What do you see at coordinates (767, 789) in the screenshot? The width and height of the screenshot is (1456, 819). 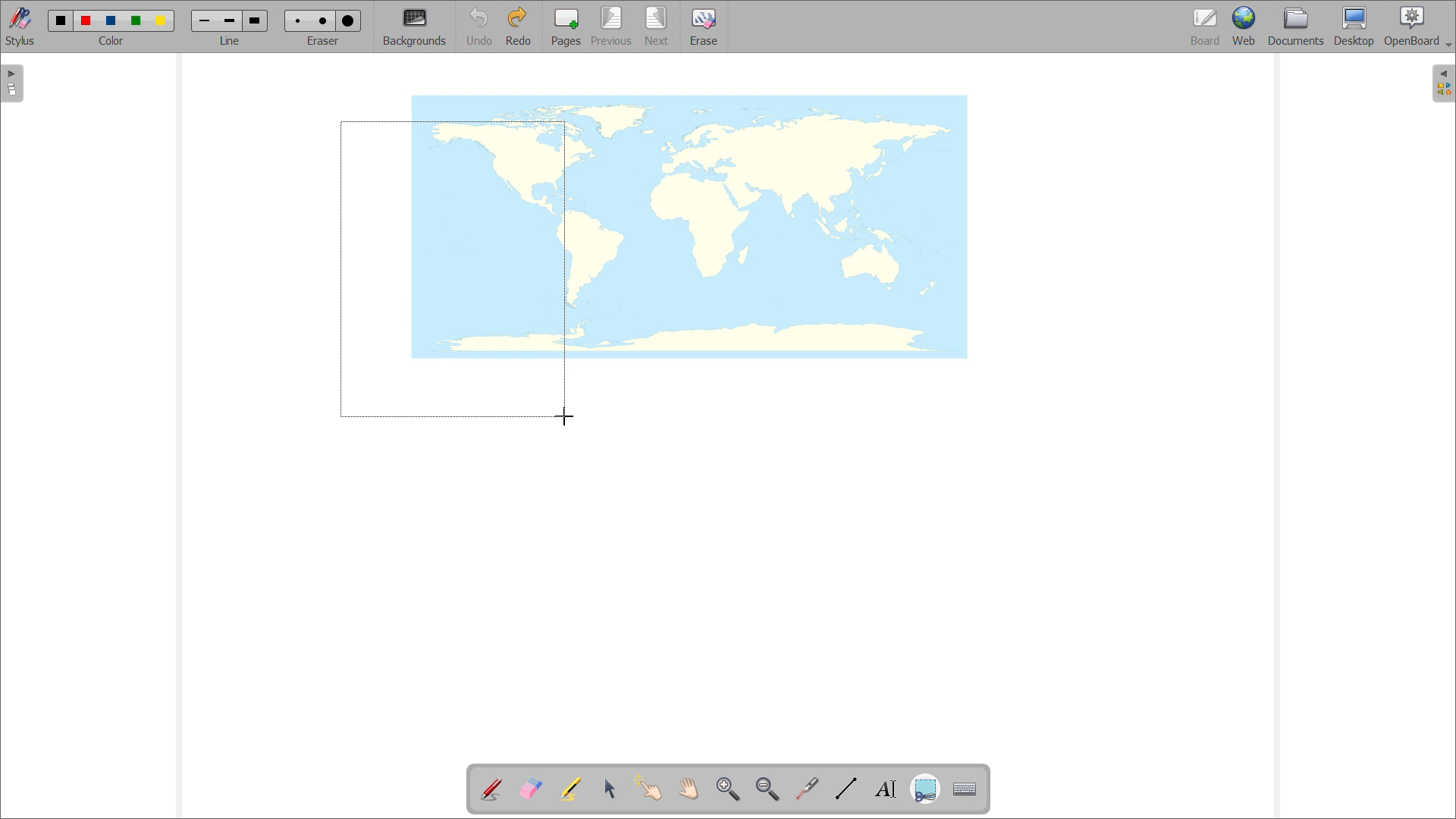 I see `zoom out` at bounding box center [767, 789].